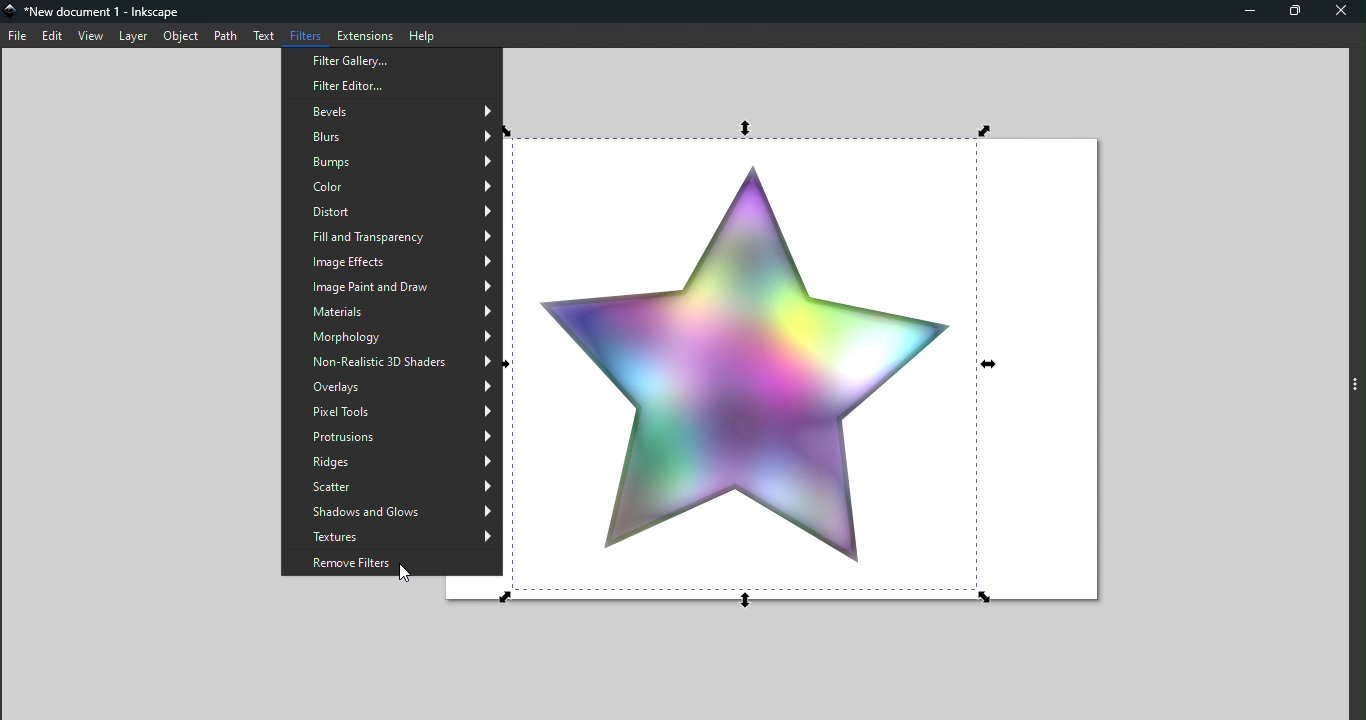  What do you see at coordinates (390, 513) in the screenshot?
I see `Shadows and Glows` at bounding box center [390, 513].